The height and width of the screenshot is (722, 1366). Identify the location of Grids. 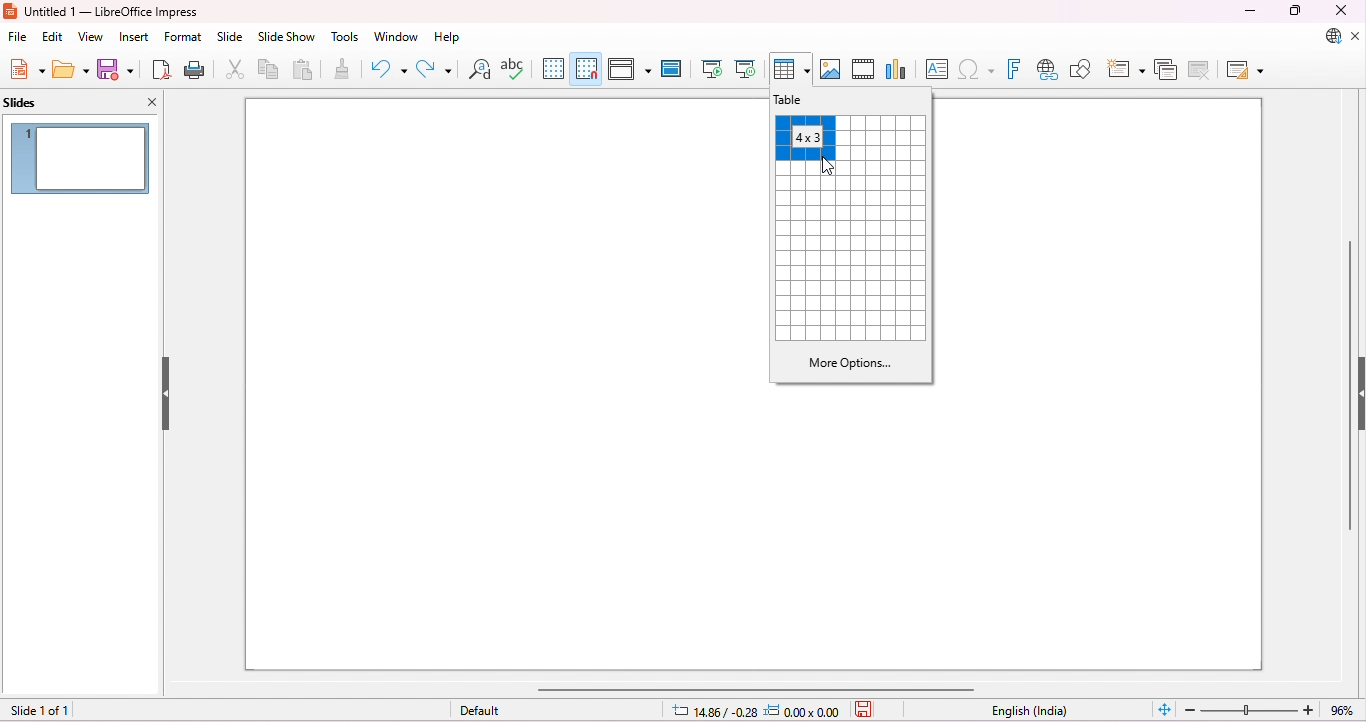
(886, 139).